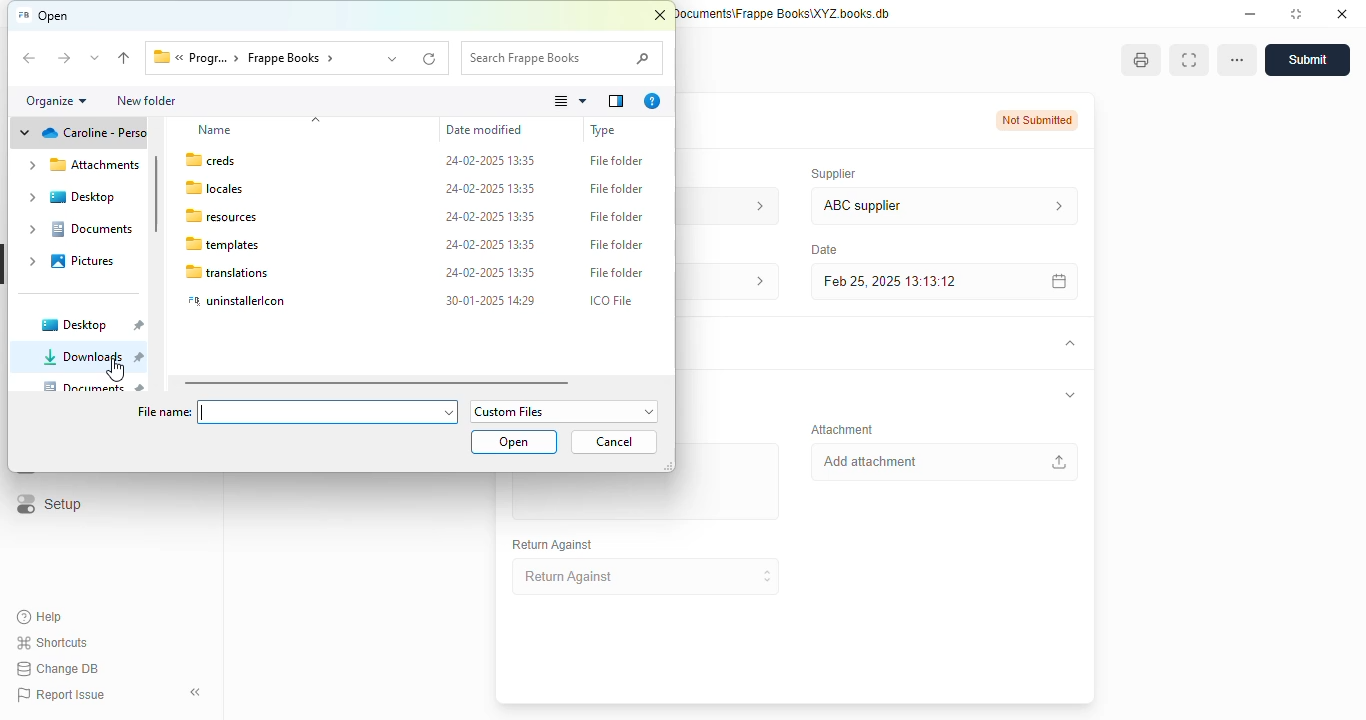 The width and height of the screenshot is (1366, 720). What do you see at coordinates (618, 160) in the screenshot?
I see `File folder` at bounding box center [618, 160].